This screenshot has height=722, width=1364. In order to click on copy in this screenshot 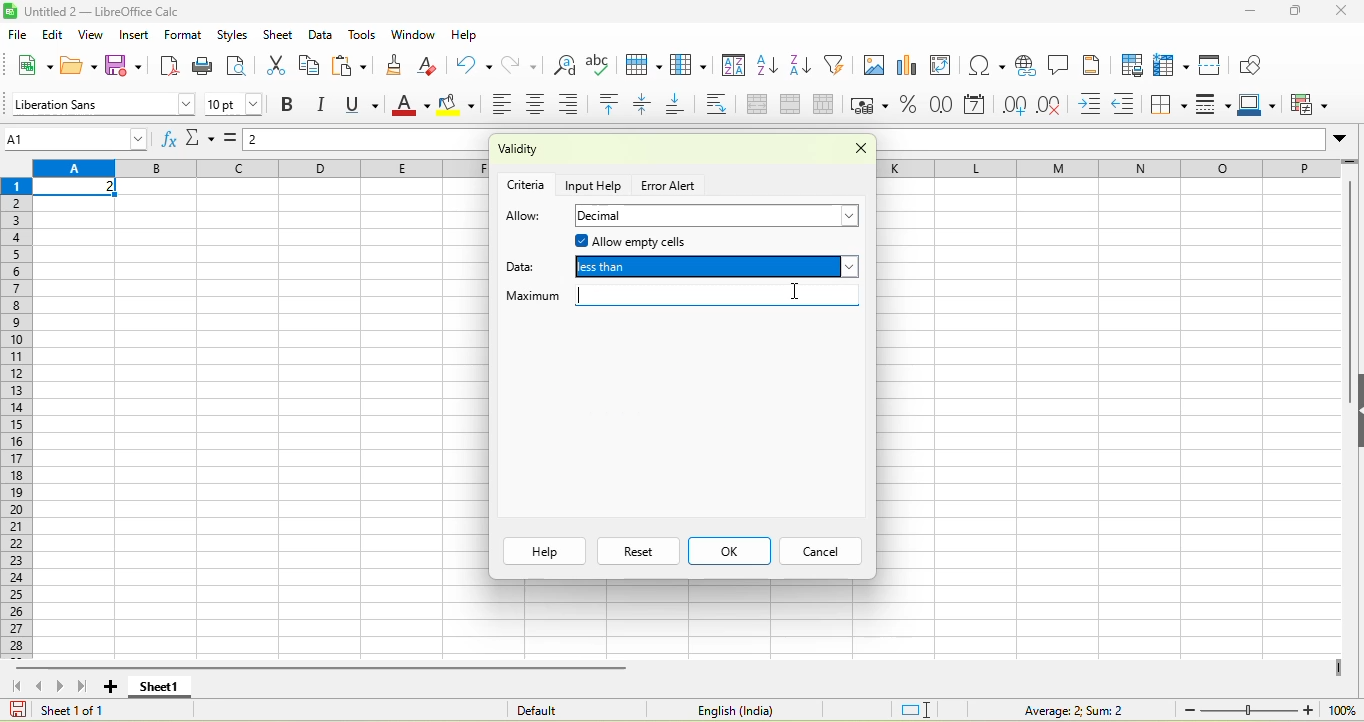, I will do `click(310, 65)`.